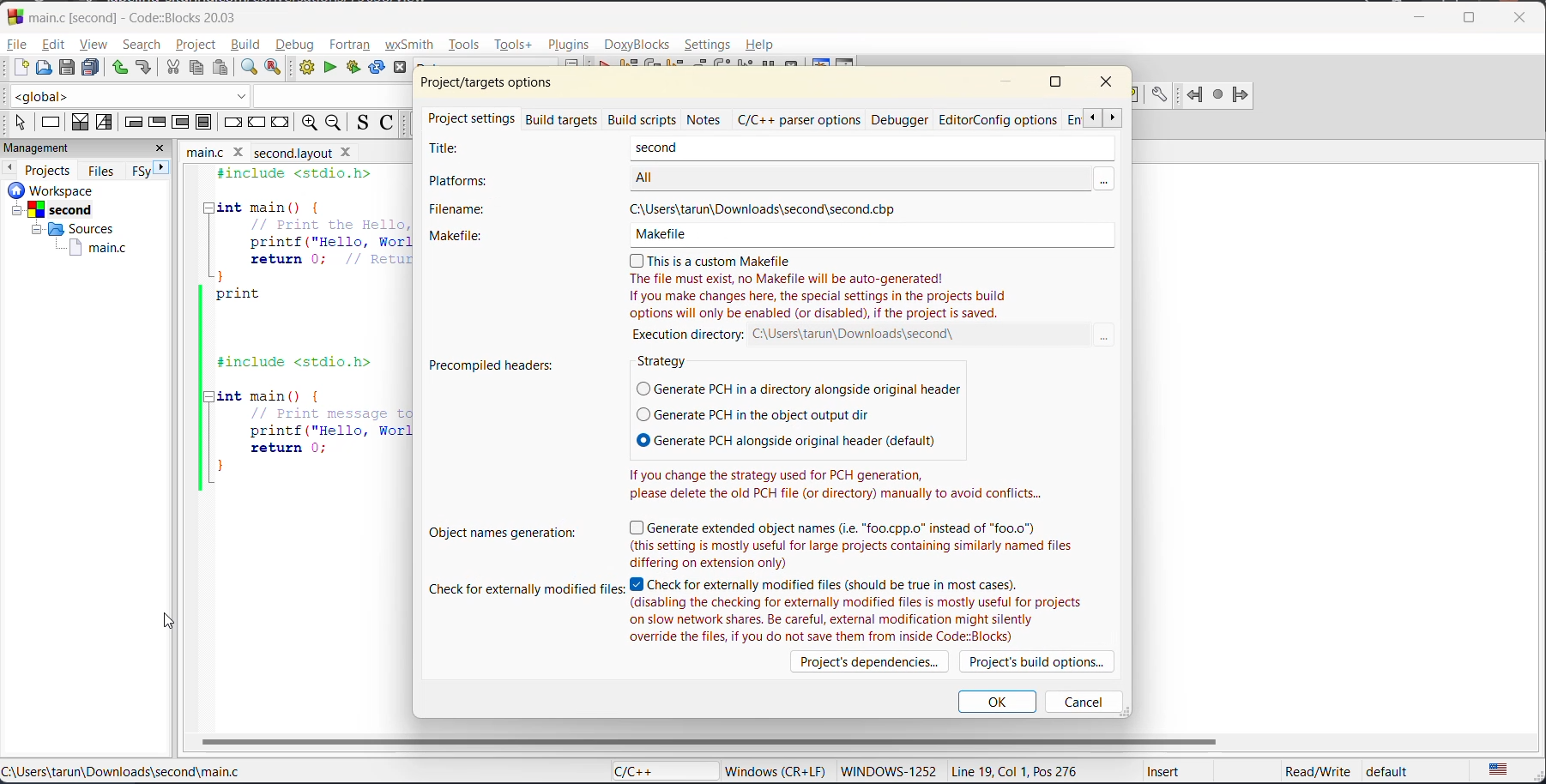  I want to click on build targets, so click(564, 118).